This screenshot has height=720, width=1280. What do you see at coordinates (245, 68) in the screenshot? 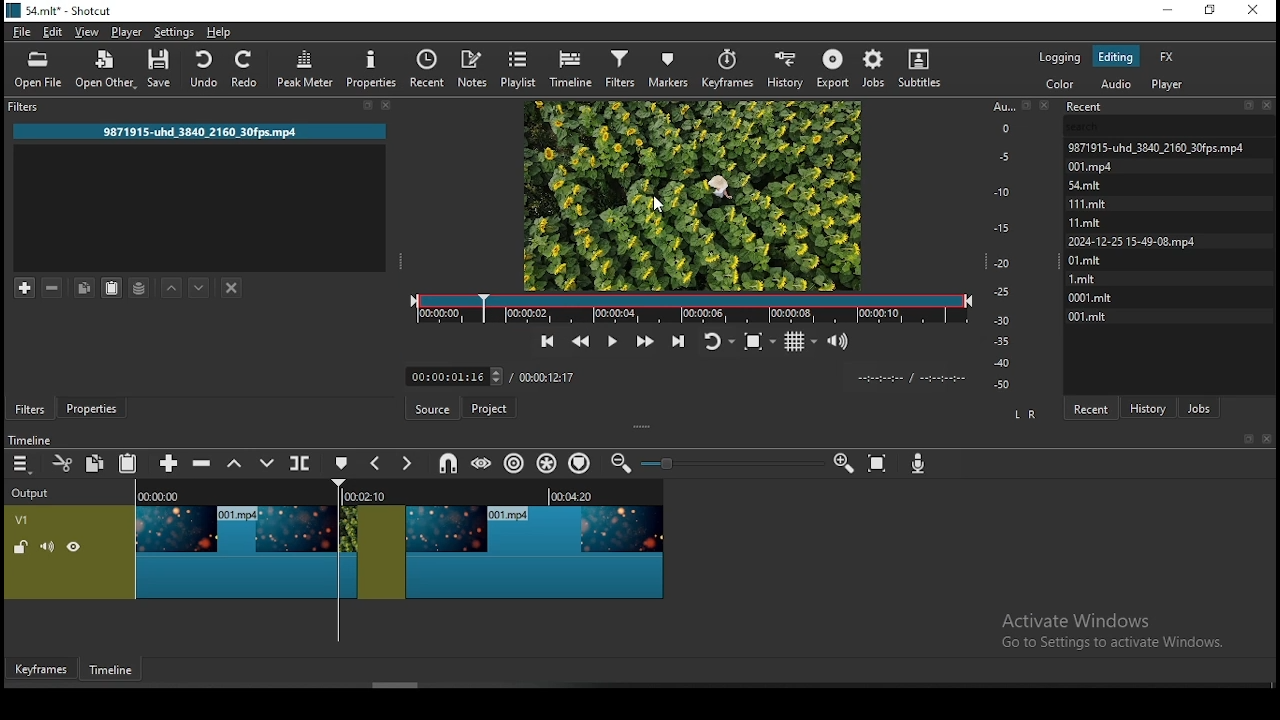
I see `redo` at bounding box center [245, 68].